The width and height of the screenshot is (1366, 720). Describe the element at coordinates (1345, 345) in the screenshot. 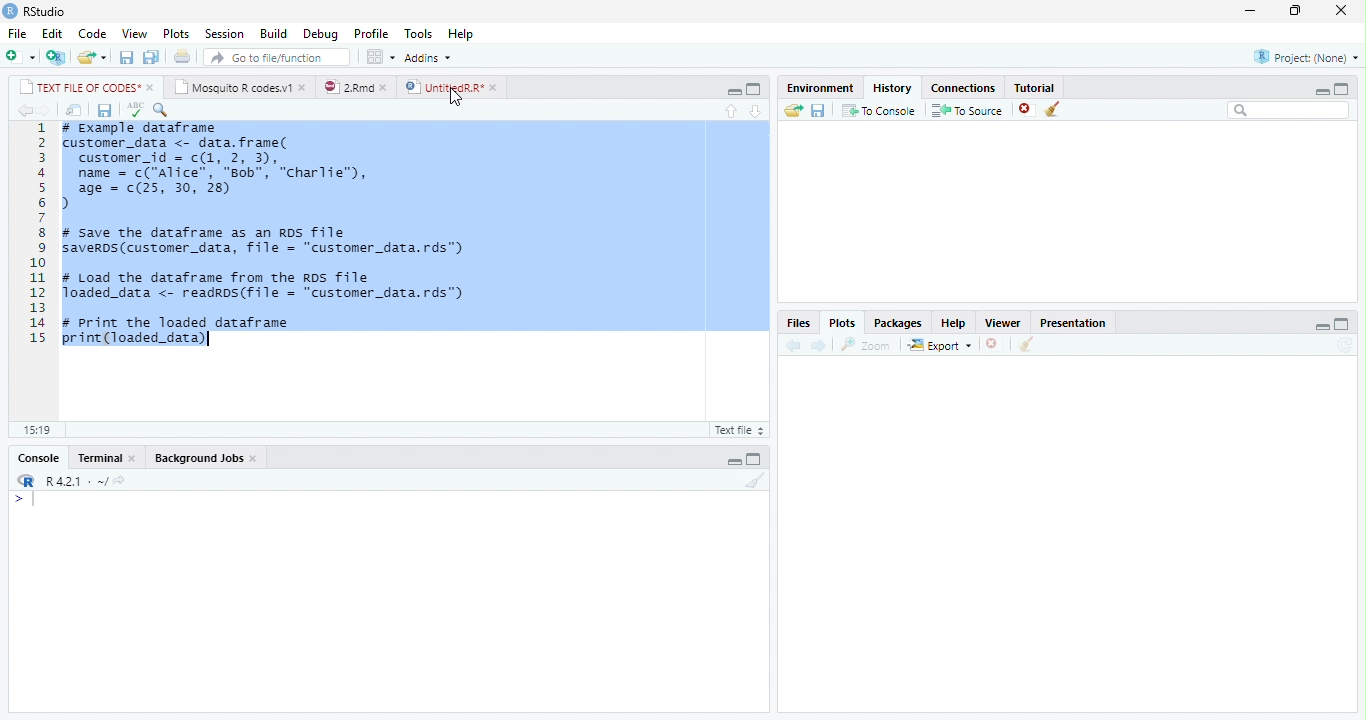

I see `refresh` at that location.